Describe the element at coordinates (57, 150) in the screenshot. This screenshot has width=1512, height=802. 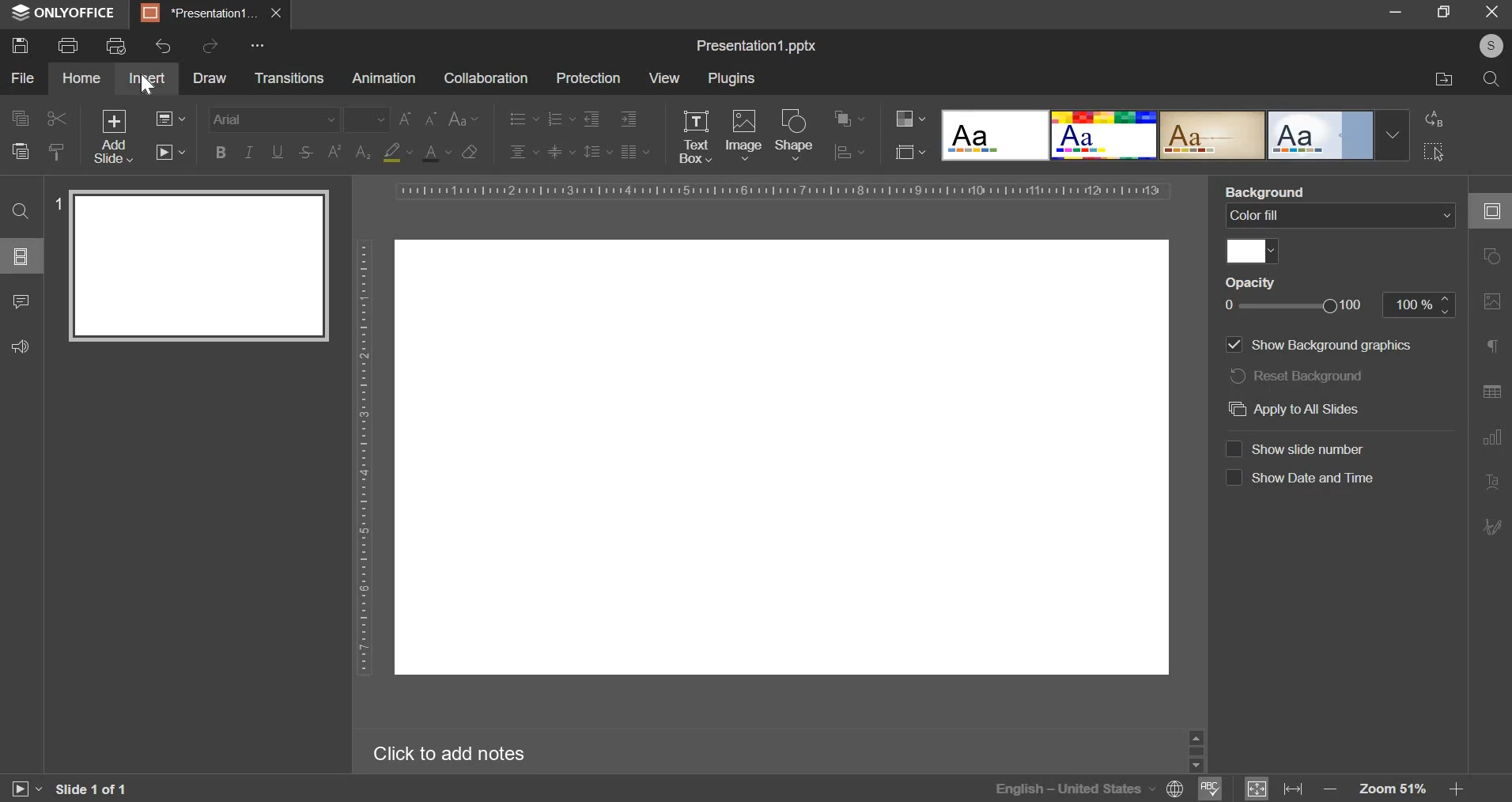
I see `copy style` at that location.